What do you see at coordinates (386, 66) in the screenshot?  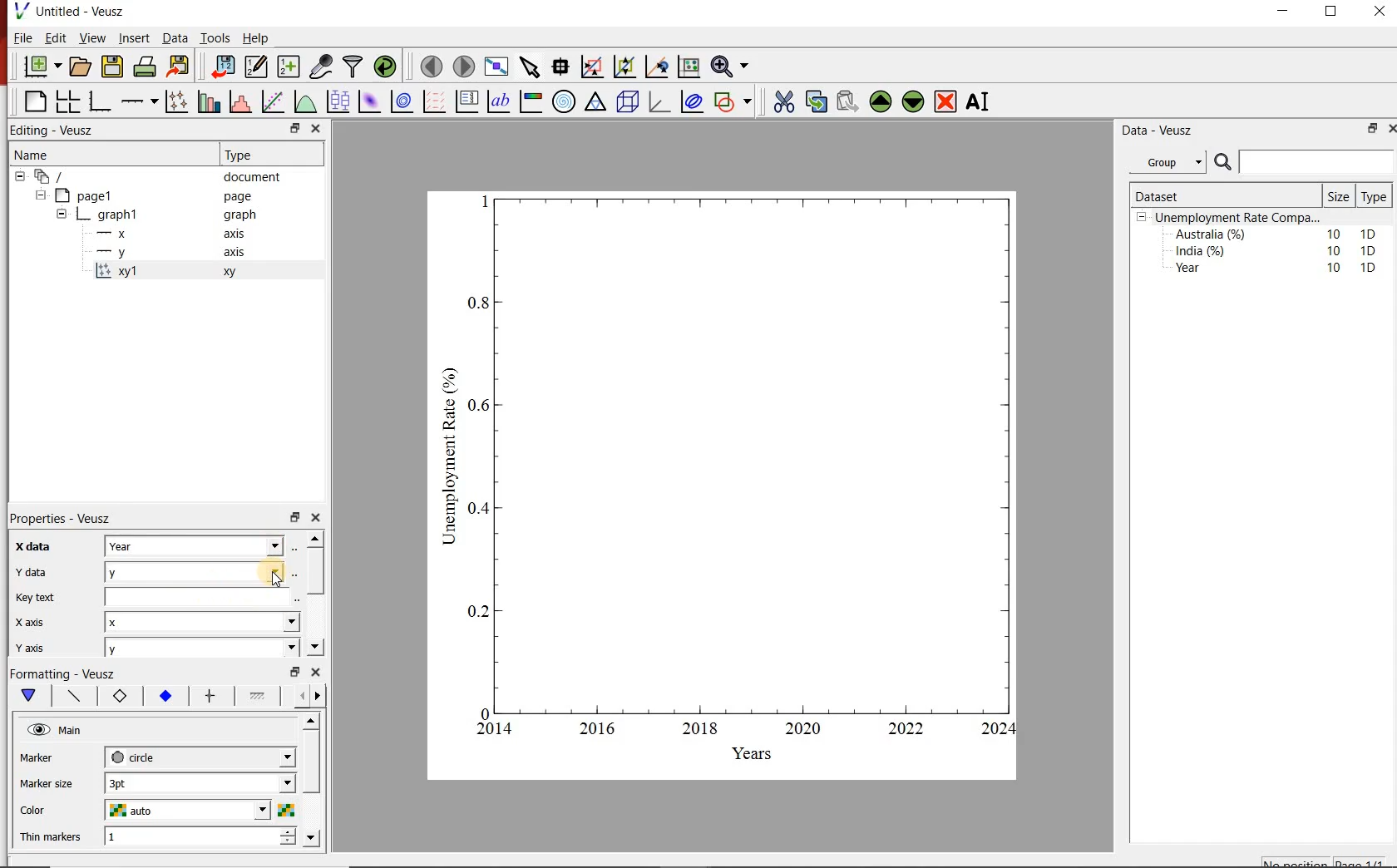 I see `reload datasets` at bounding box center [386, 66].